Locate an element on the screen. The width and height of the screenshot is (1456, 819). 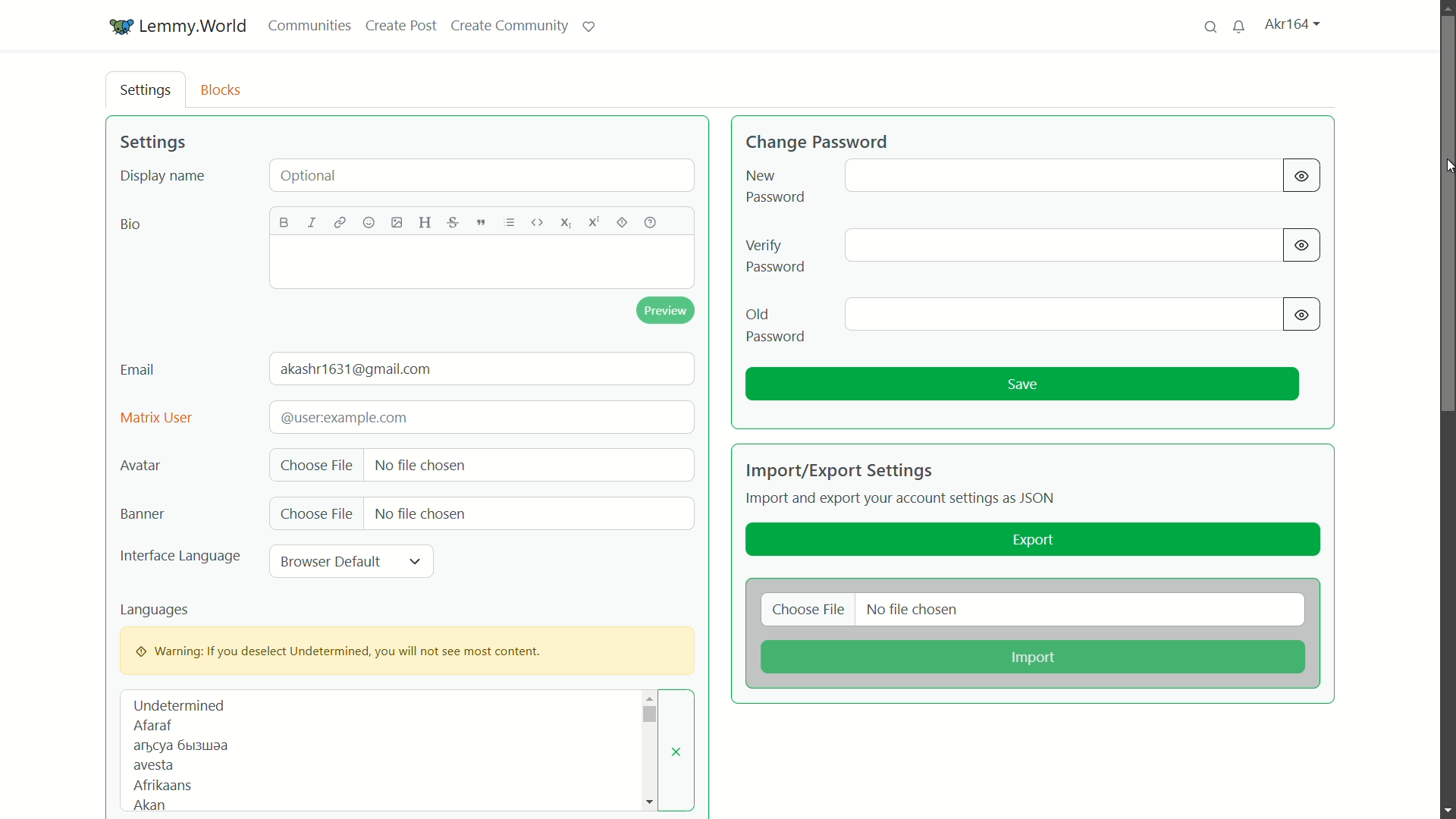
support lemmy.world is located at coordinates (589, 27).